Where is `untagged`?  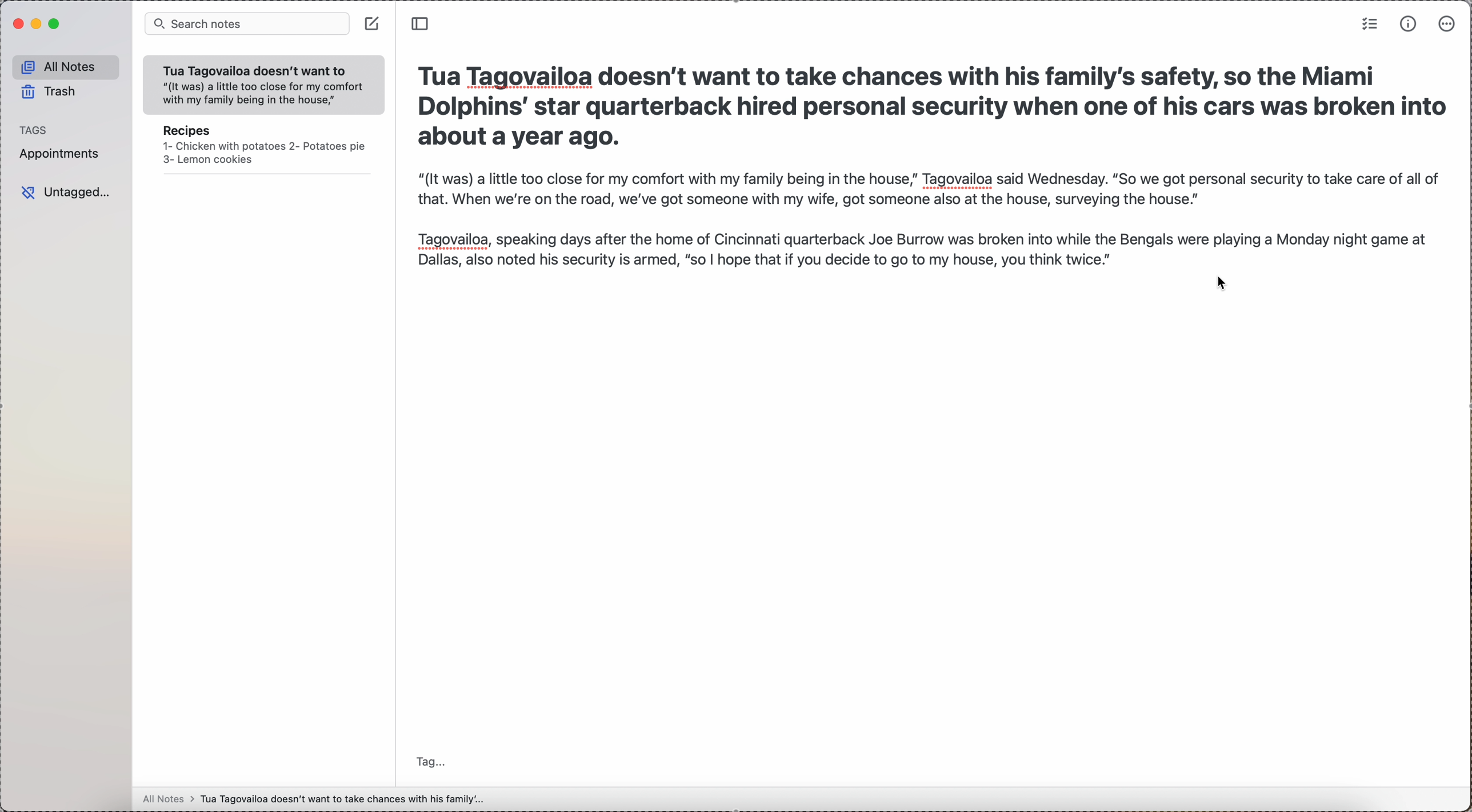
untagged is located at coordinates (66, 190).